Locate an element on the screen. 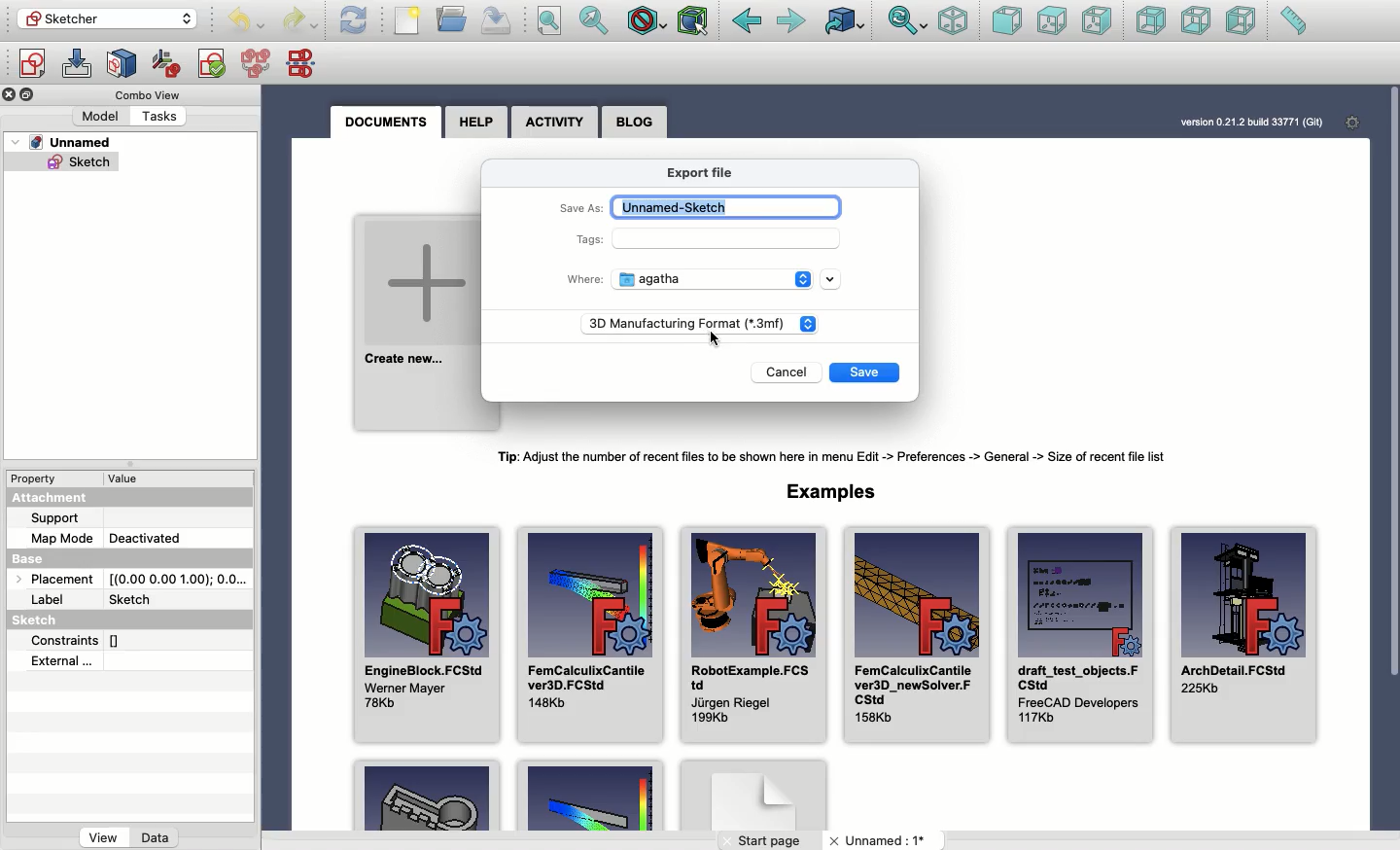 This screenshot has width=1400, height=850. View is located at coordinates (102, 836).